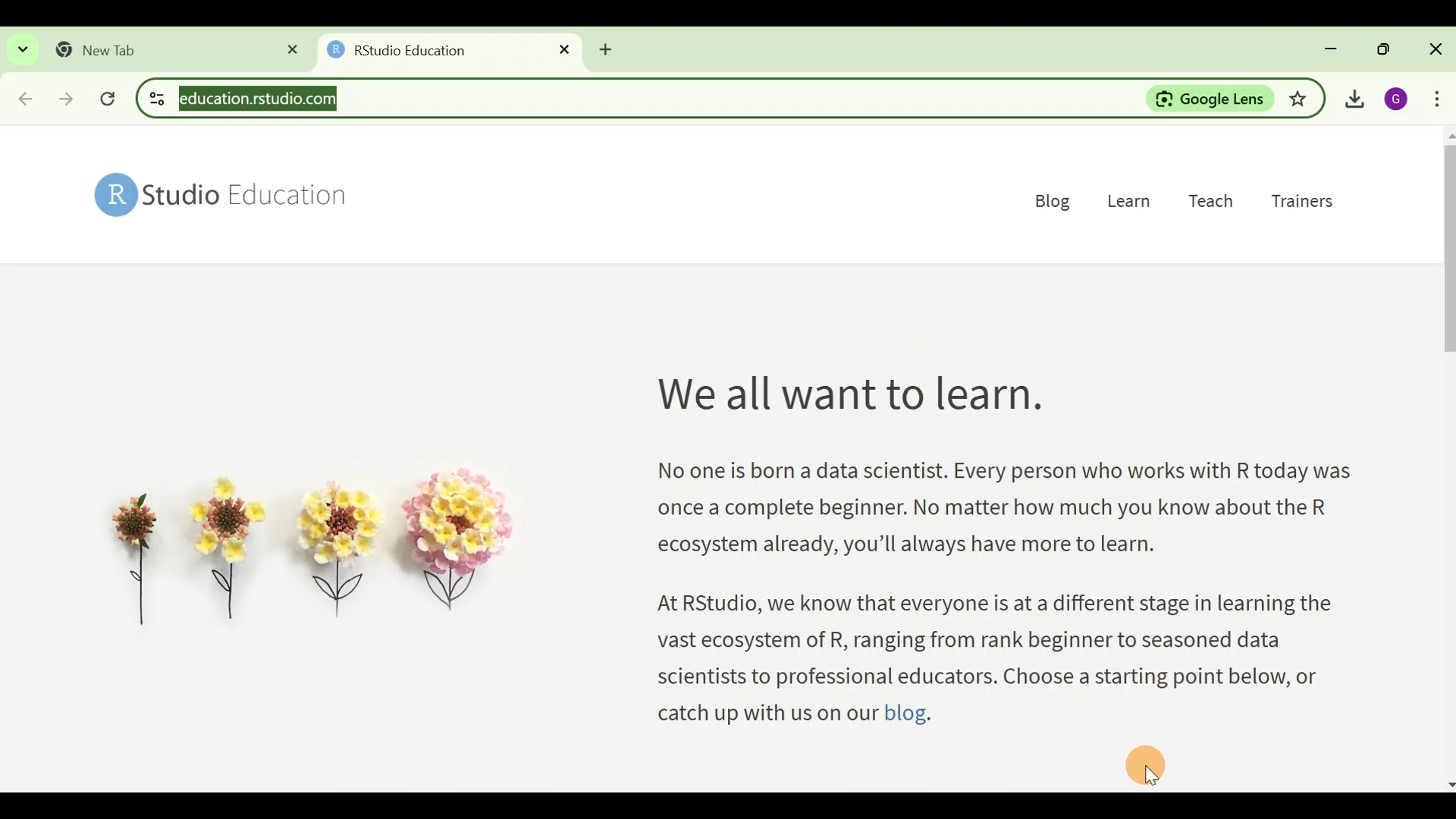  I want to click on click to go back, hold to see history, so click(23, 96).